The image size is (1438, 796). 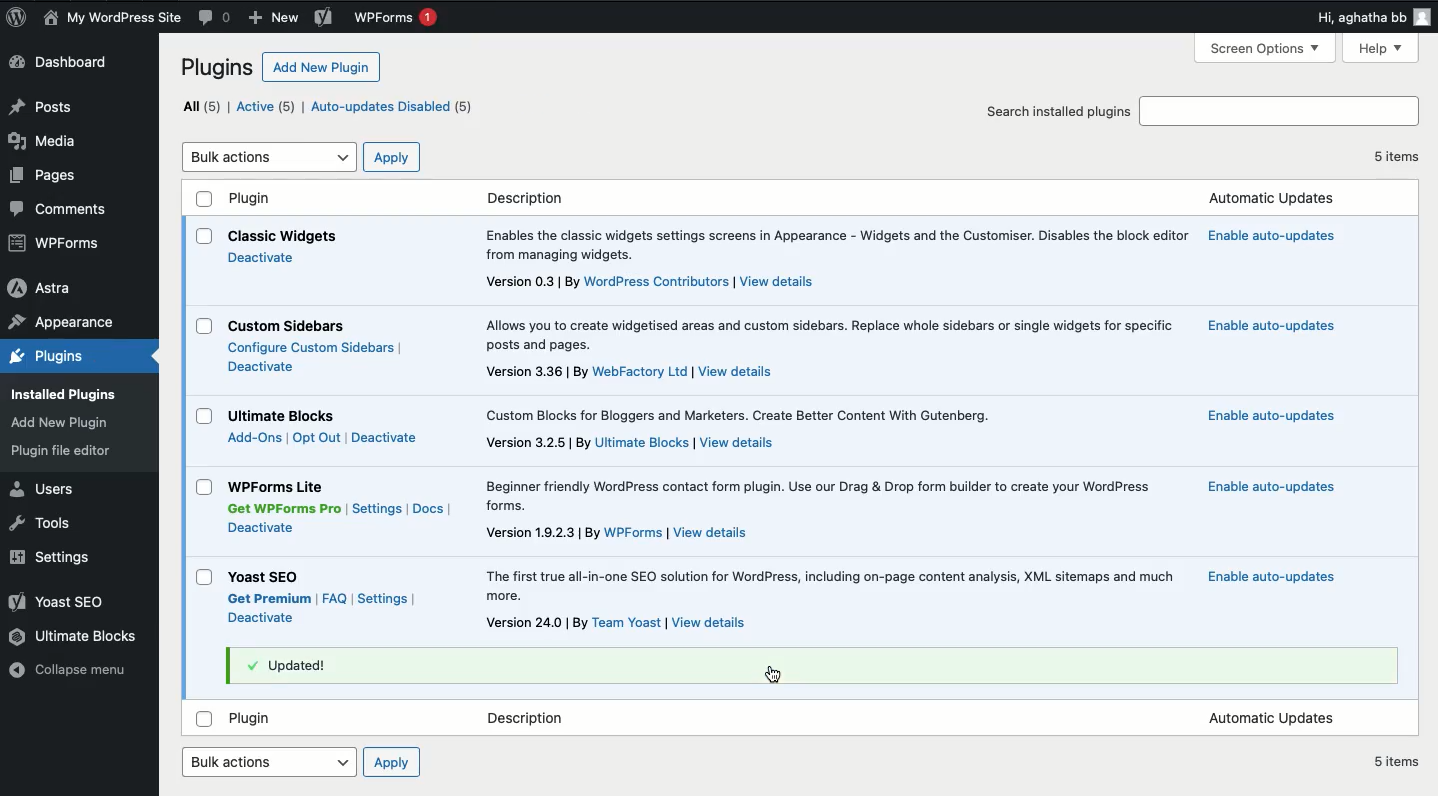 I want to click on Plugin, so click(x=283, y=237).